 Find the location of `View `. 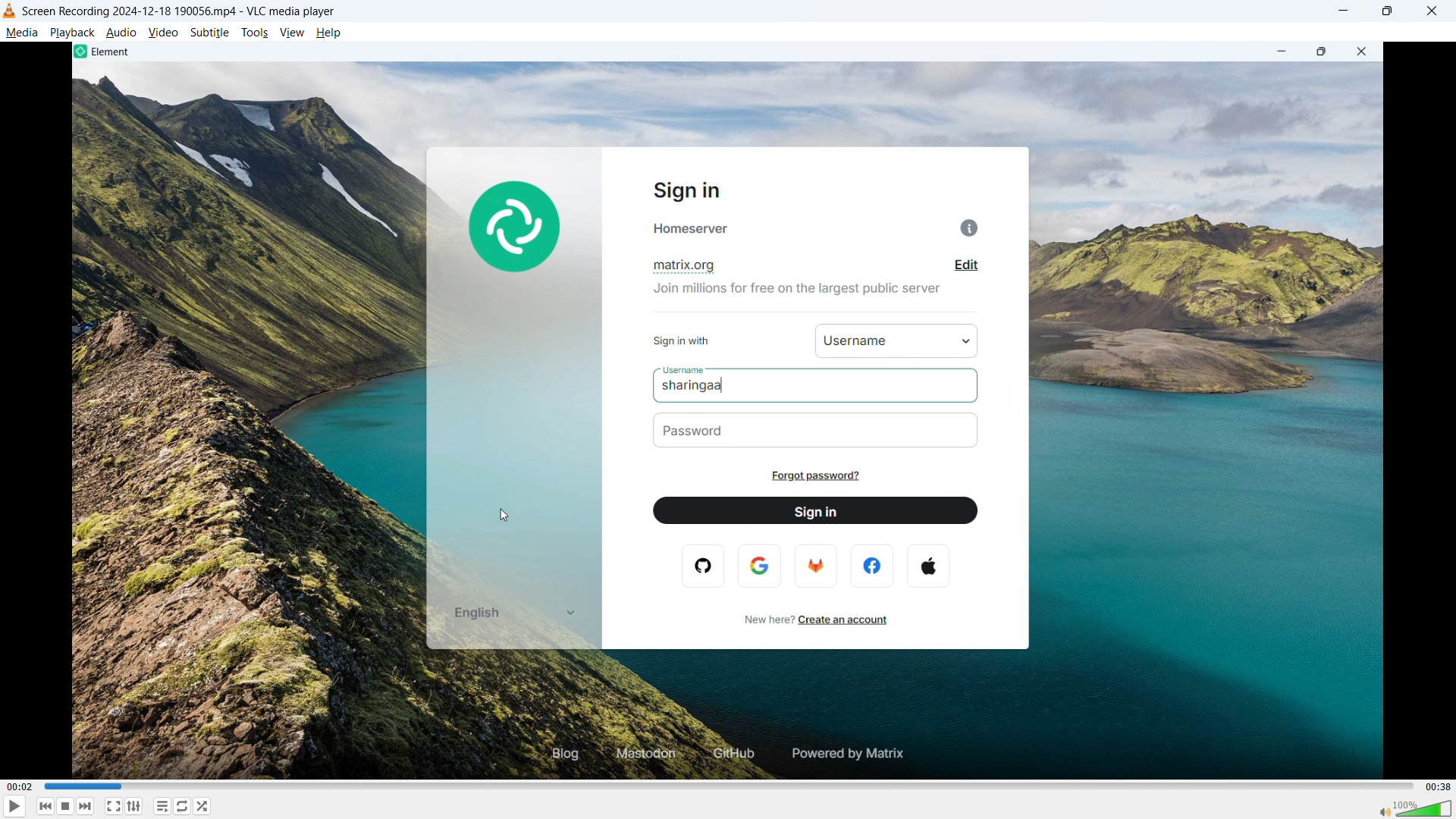

View  is located at coordinates (291, 33).